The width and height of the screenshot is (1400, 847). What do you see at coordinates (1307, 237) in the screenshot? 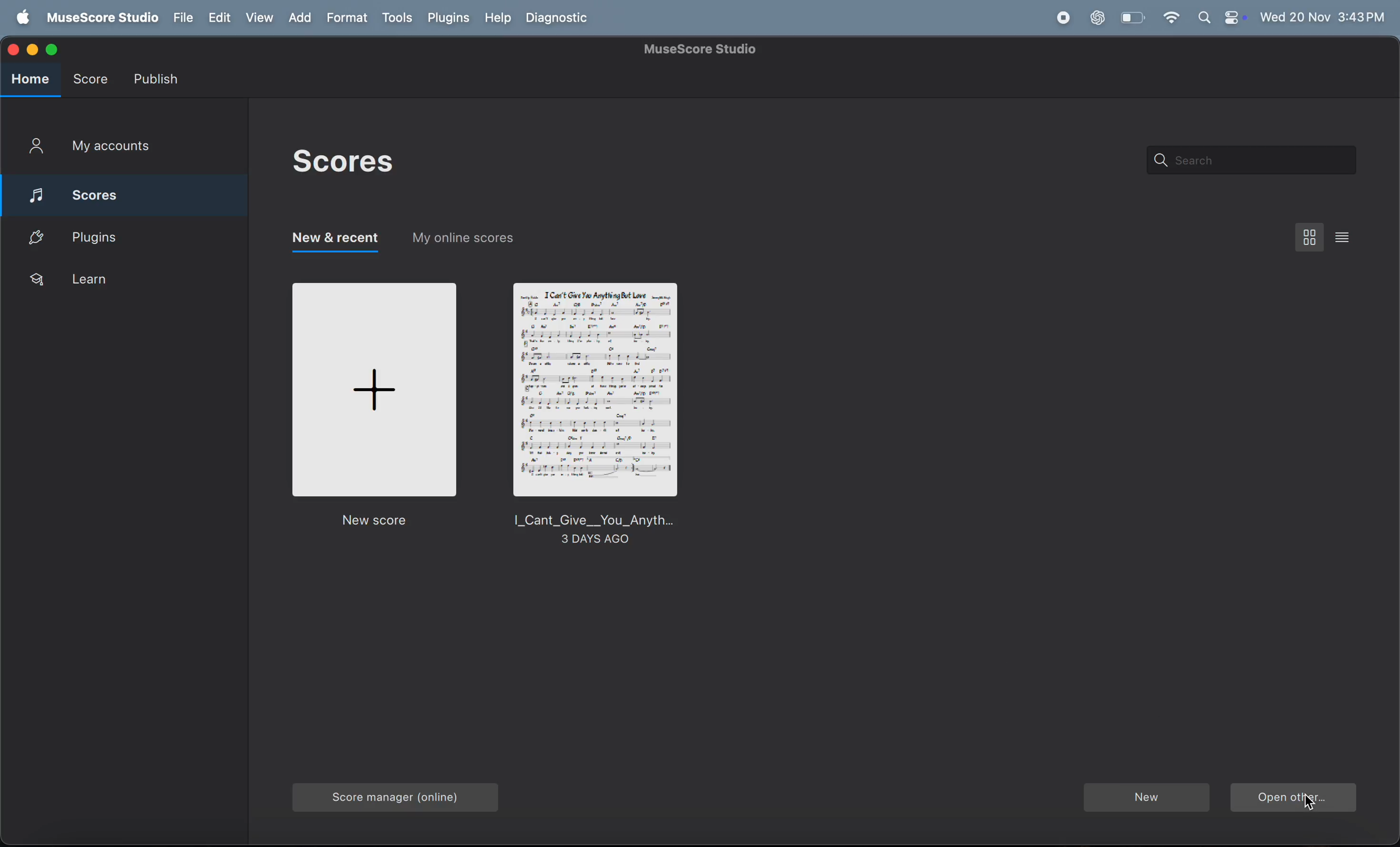
I see `box view` at bounding box center [1307, 237].